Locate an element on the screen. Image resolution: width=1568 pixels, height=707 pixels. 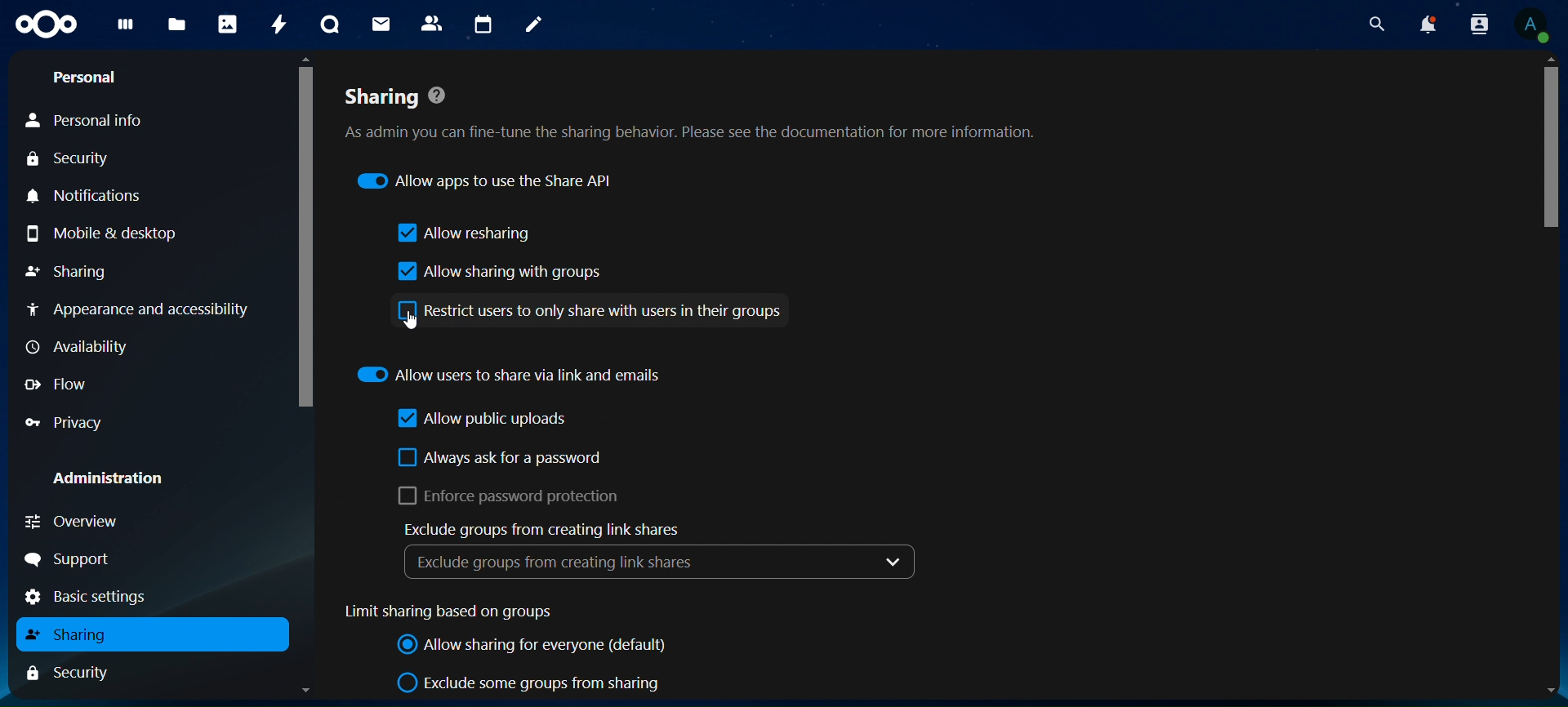
allow sharing with groups is located at coordinates (496, 272).